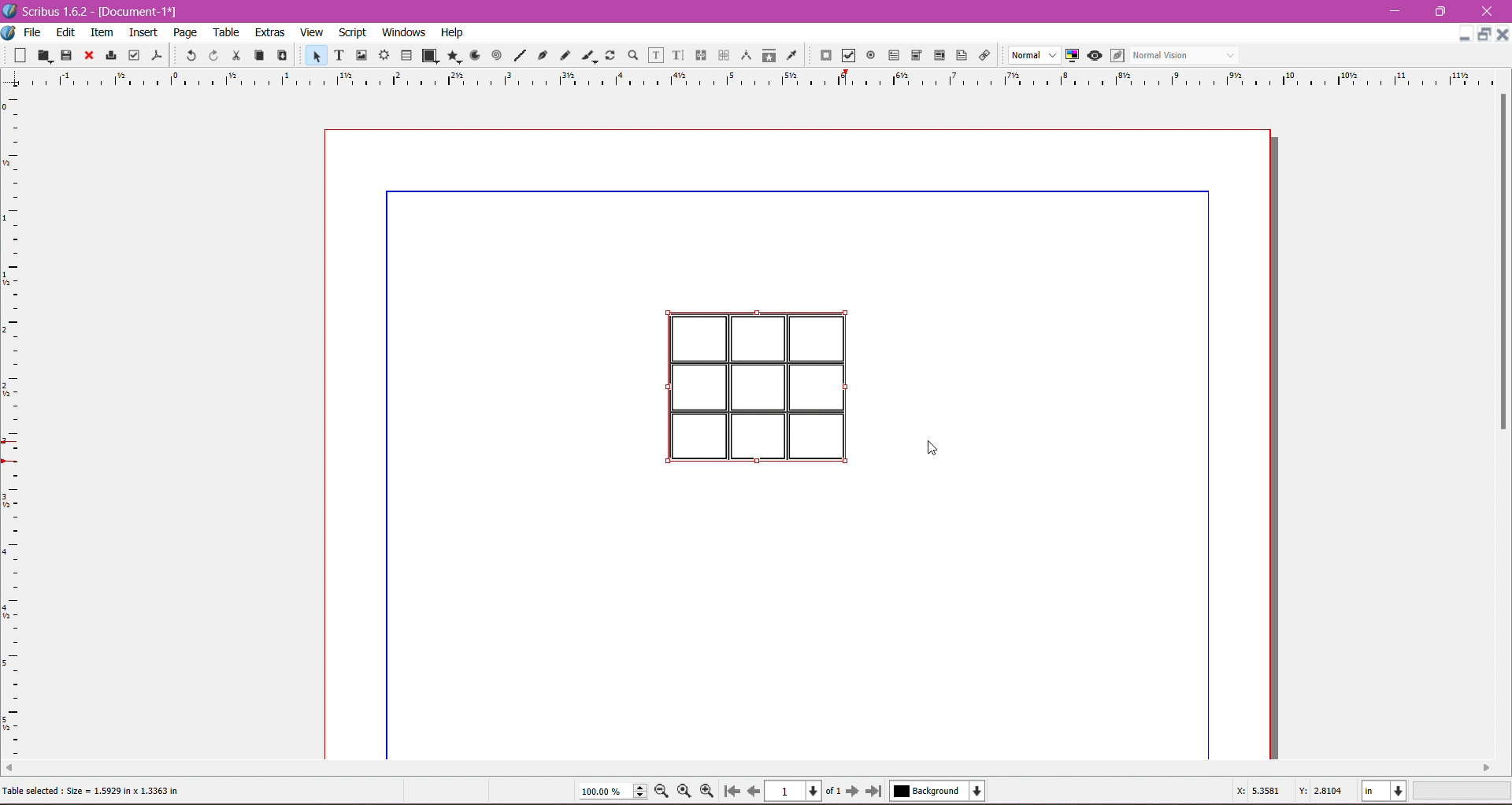 Image resolution: width=1512 pixels, height=805 pixels. Describe the element at coordinates (1260, 791) in the screenshot. I see `X: 5.3581` at that location.